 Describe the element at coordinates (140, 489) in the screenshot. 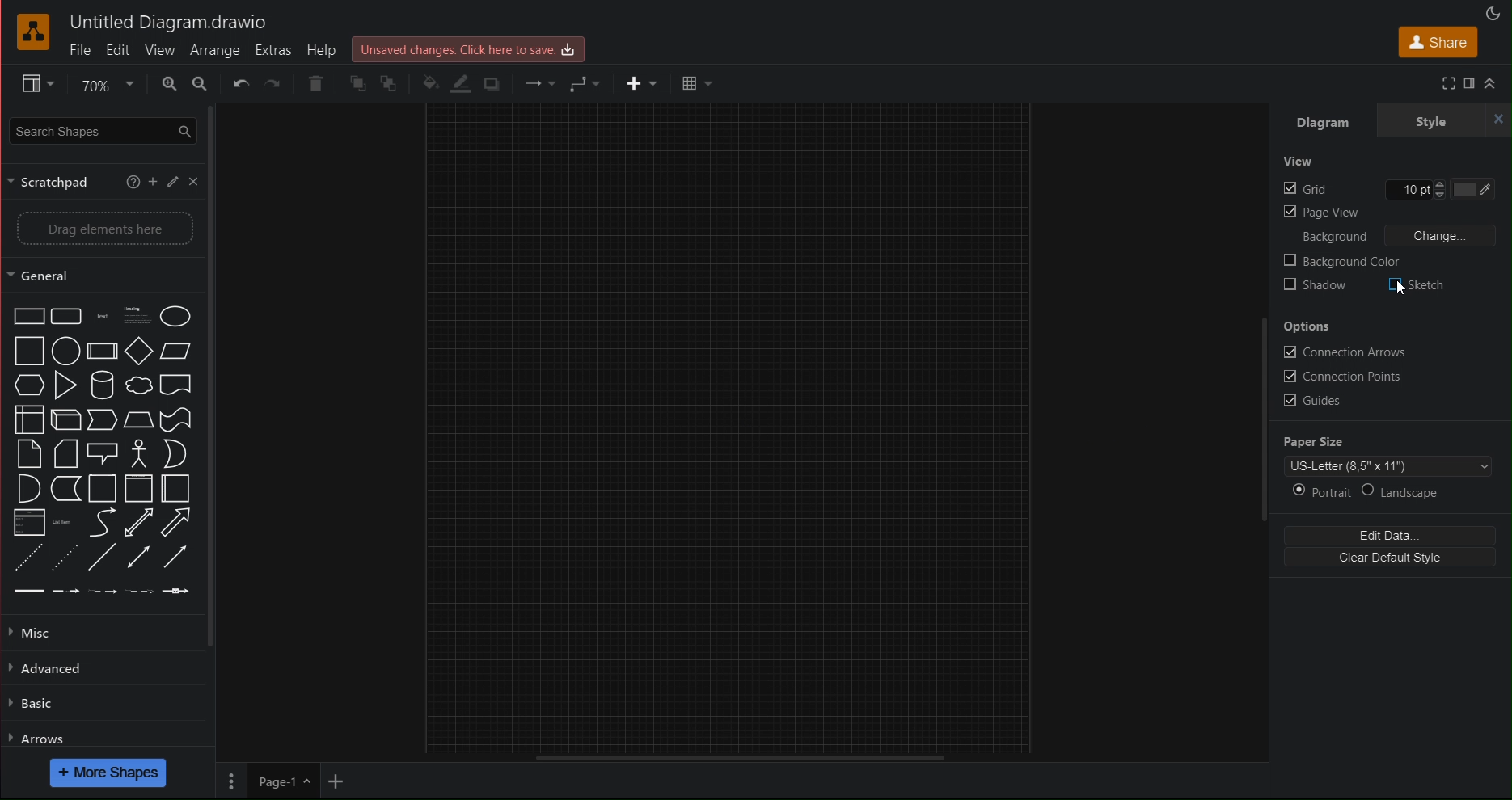

I see `vertical container` at that location.